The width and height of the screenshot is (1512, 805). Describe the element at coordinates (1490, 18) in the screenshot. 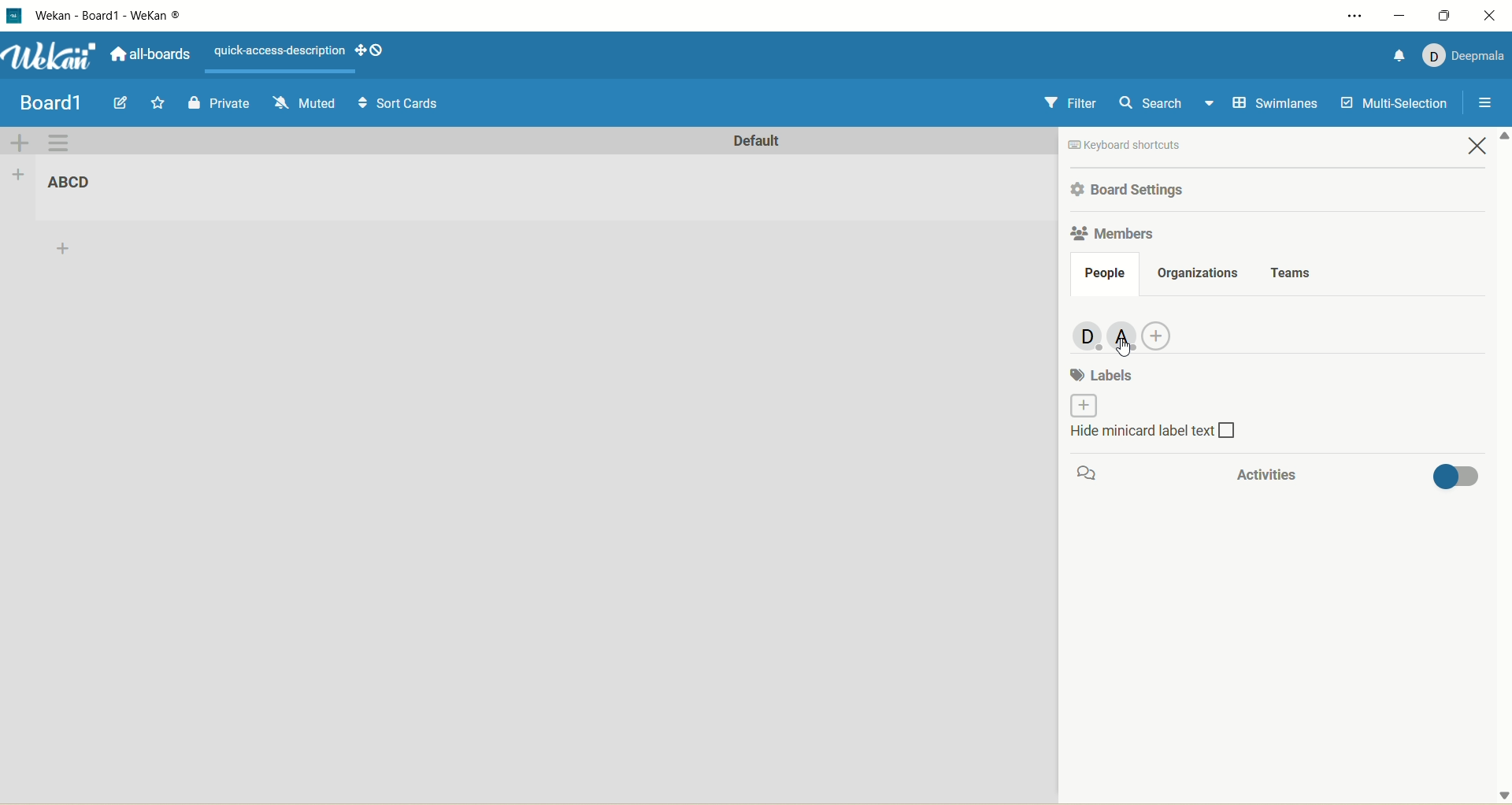

I see `close` at that location.